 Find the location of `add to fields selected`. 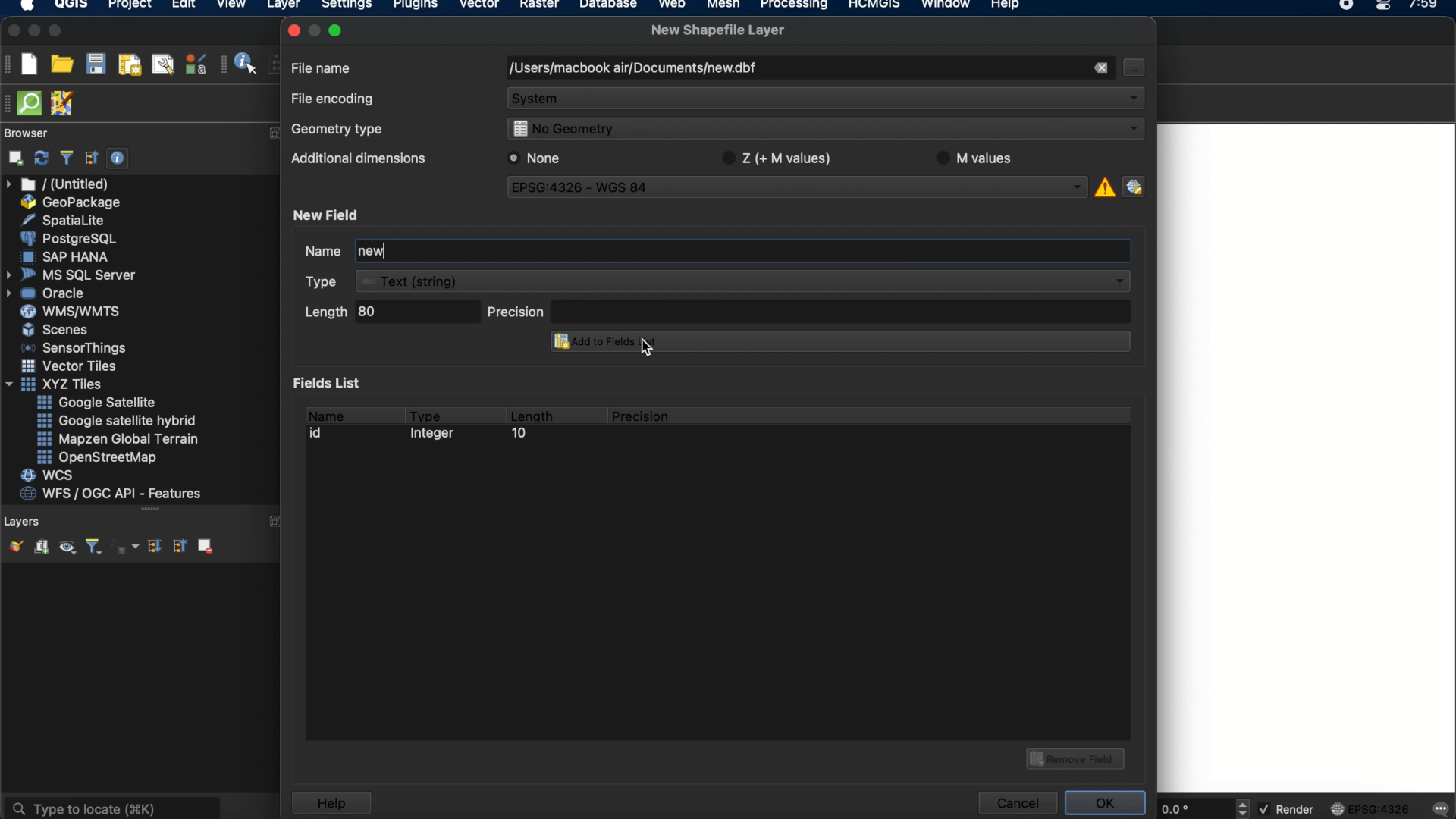

add to fields selected is located at coordinates (835, 343).